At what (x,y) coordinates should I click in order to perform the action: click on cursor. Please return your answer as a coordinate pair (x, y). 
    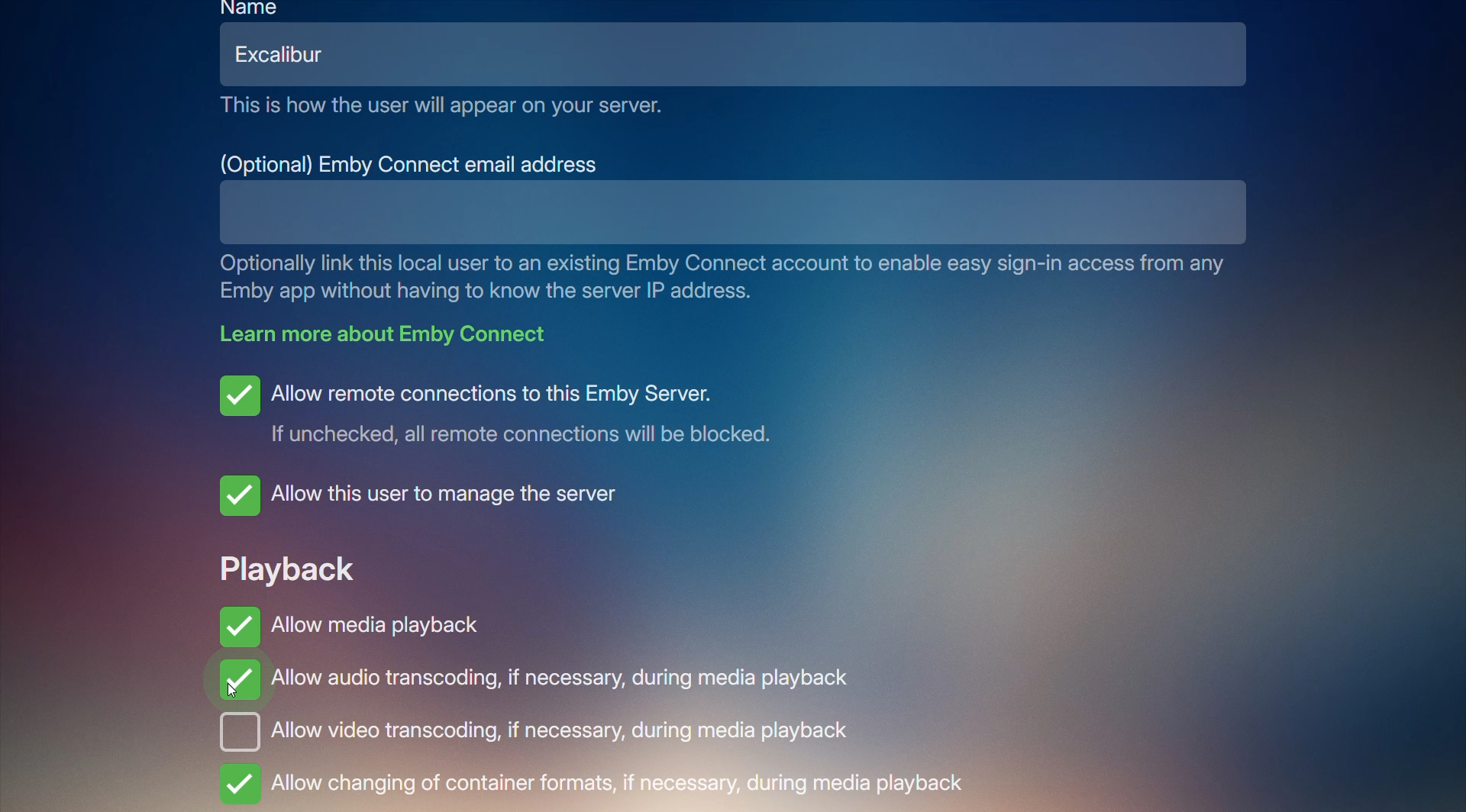
    Looking at the image, I should click on (235, 694).